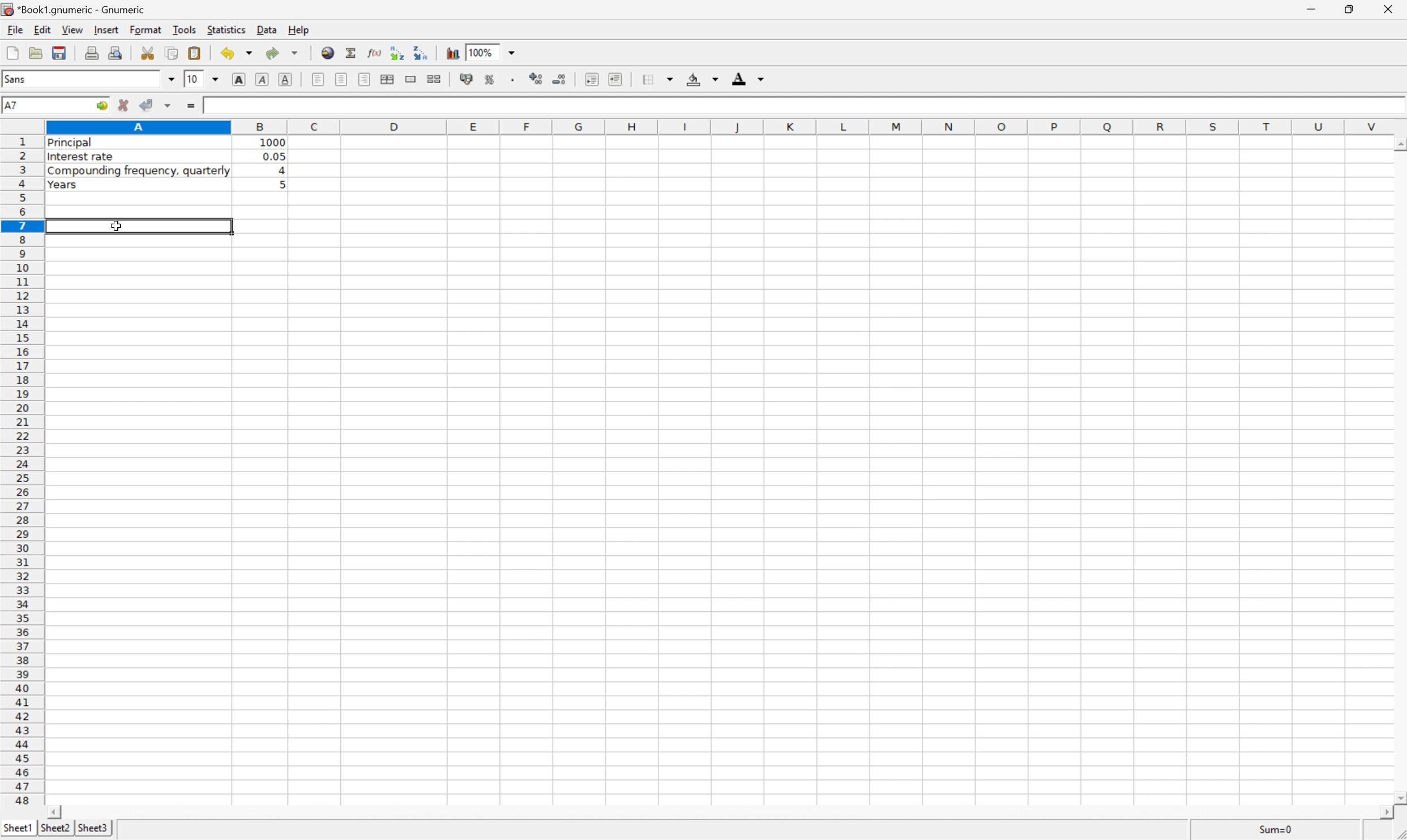 This screenshot has height=840, width=1407. I want to click on column number, so click(724, 126).